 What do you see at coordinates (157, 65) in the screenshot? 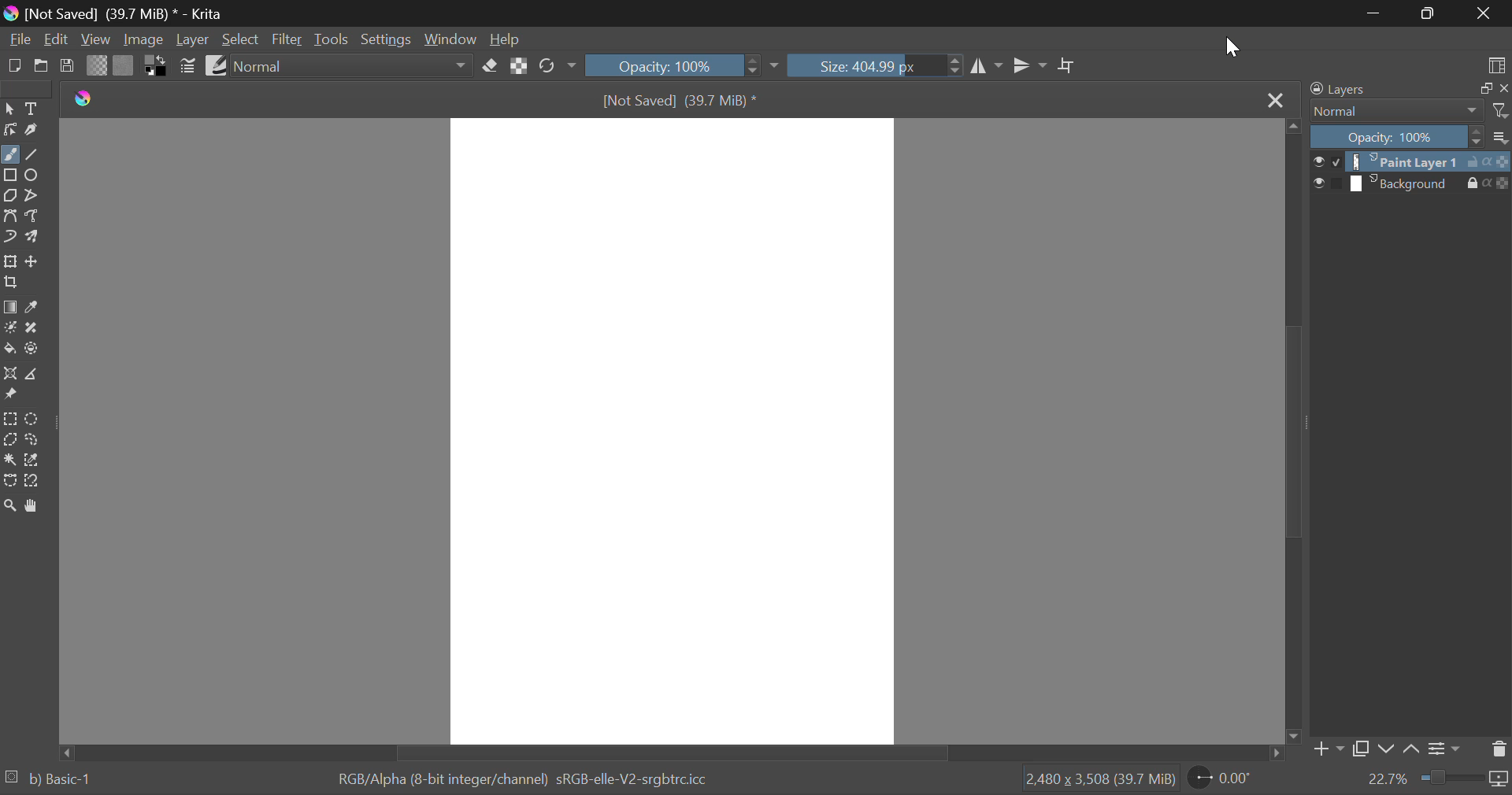
I see `Colors in Use` at bounding box center [157, 65].